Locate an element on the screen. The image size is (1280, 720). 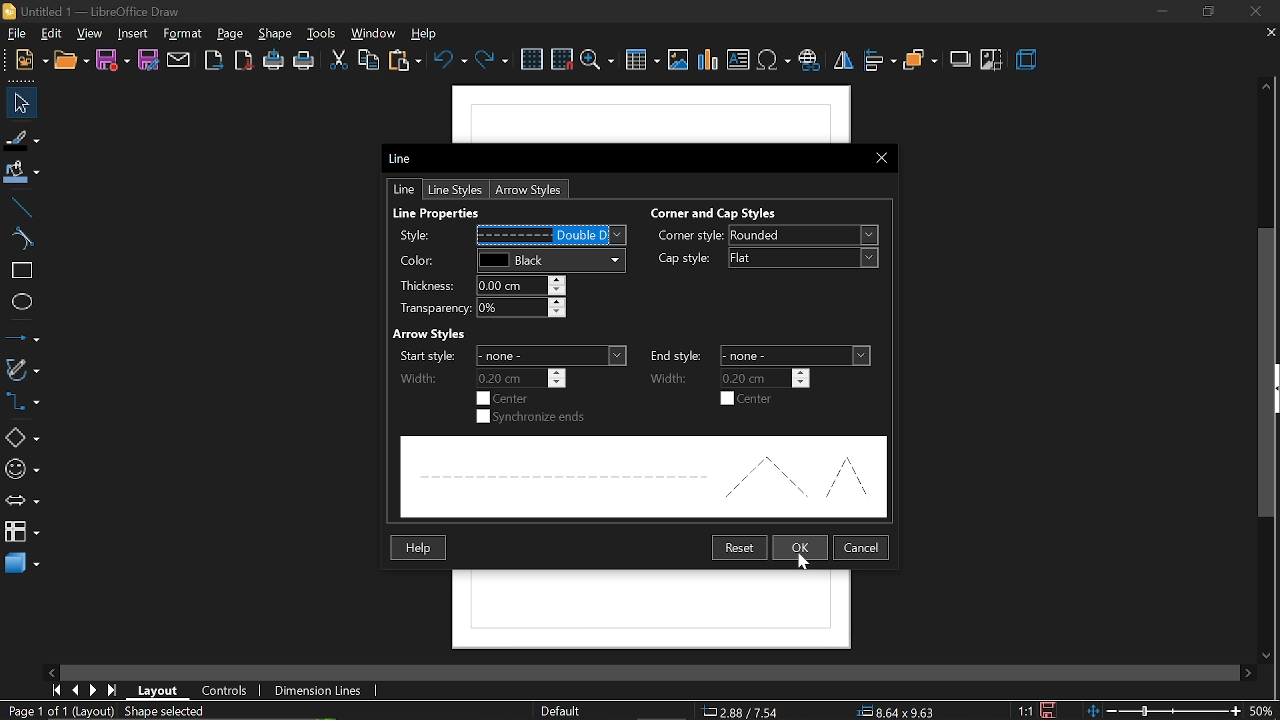
line color is located at coordinates (506, 260).